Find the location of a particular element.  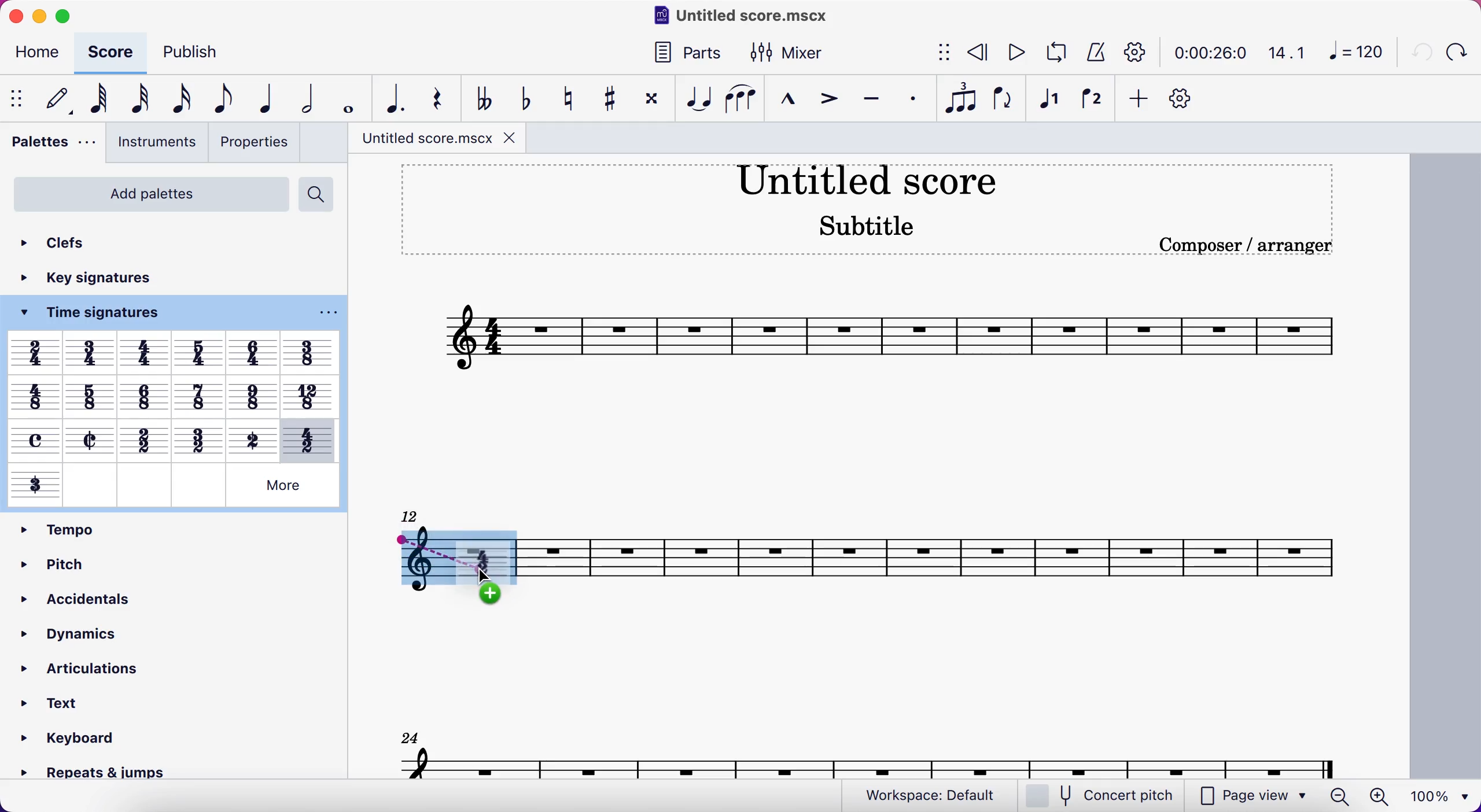

» Keyboard is located at coordinates (68, 738).